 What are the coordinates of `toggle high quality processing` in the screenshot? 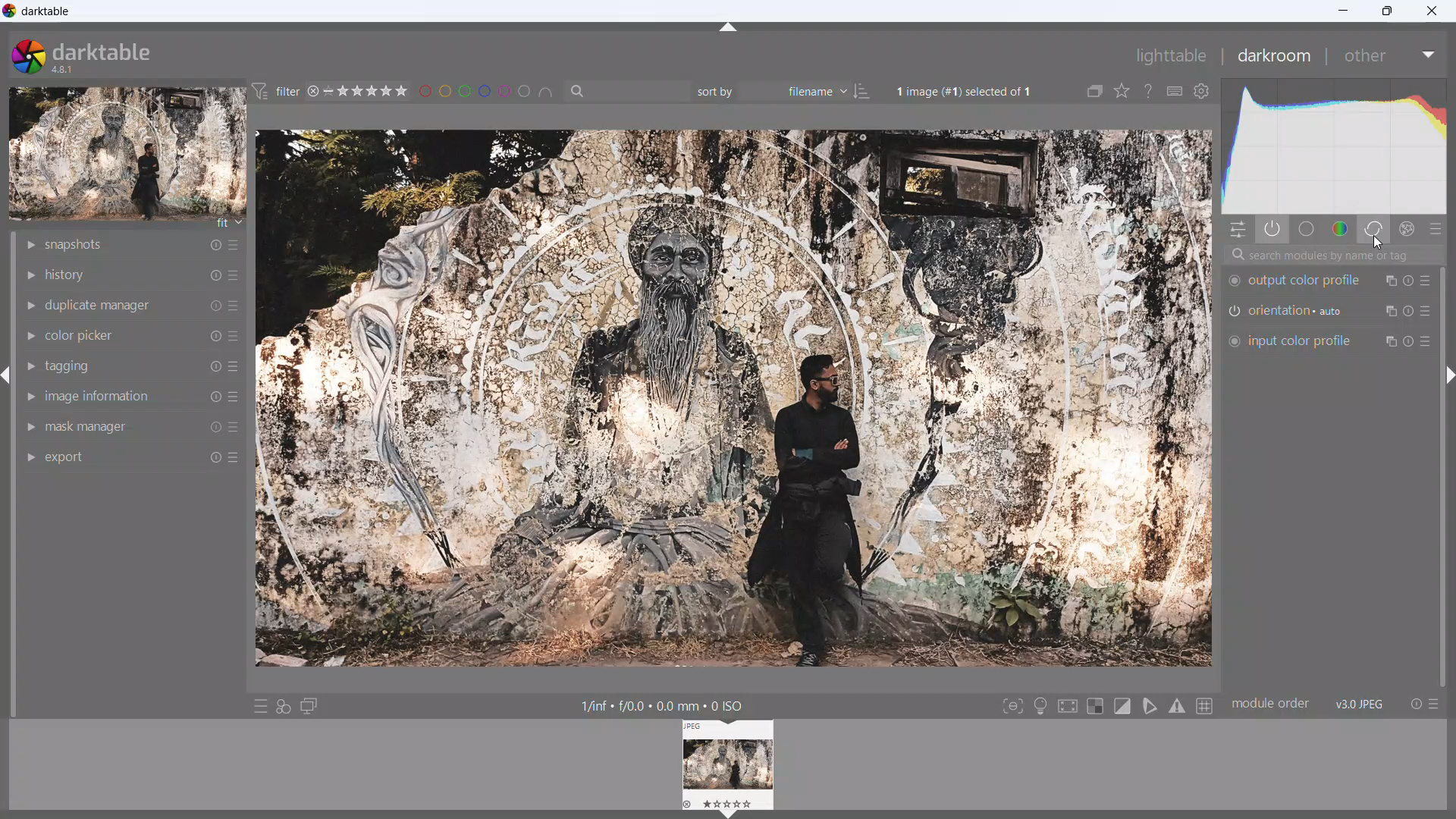 It's located at (1068, 706).